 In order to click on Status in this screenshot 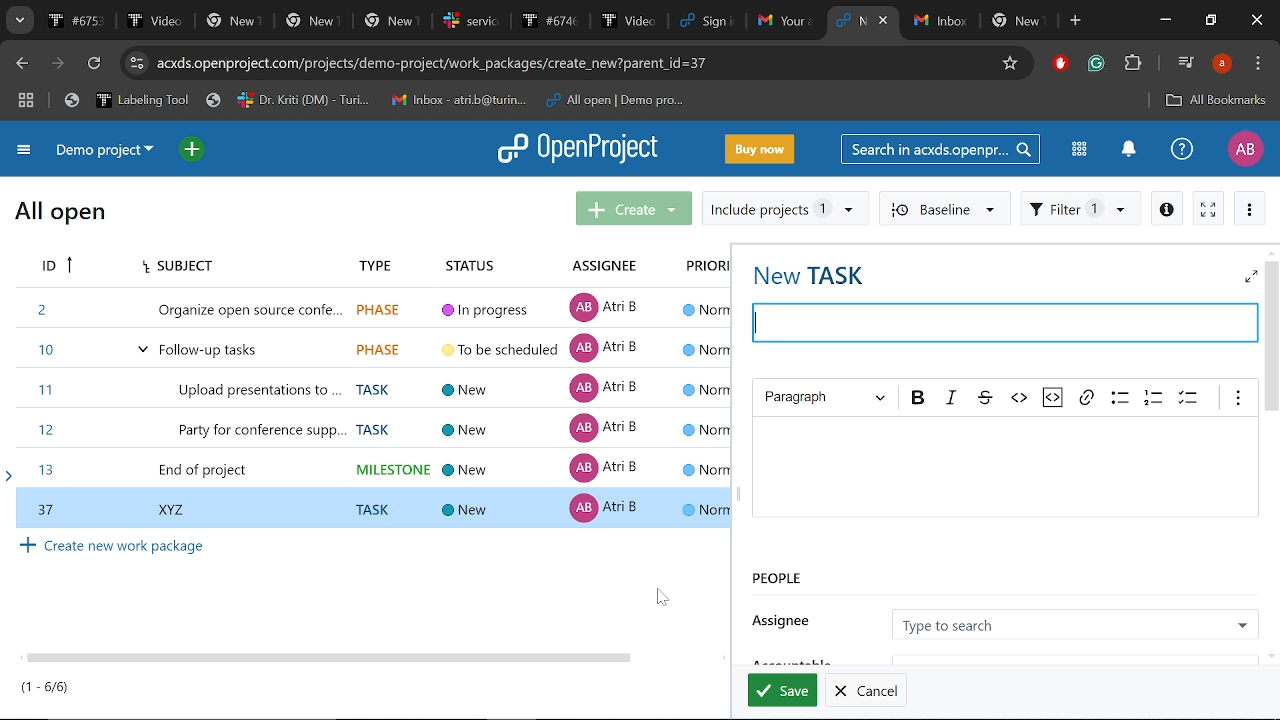, I will do `click(478, 261)`.